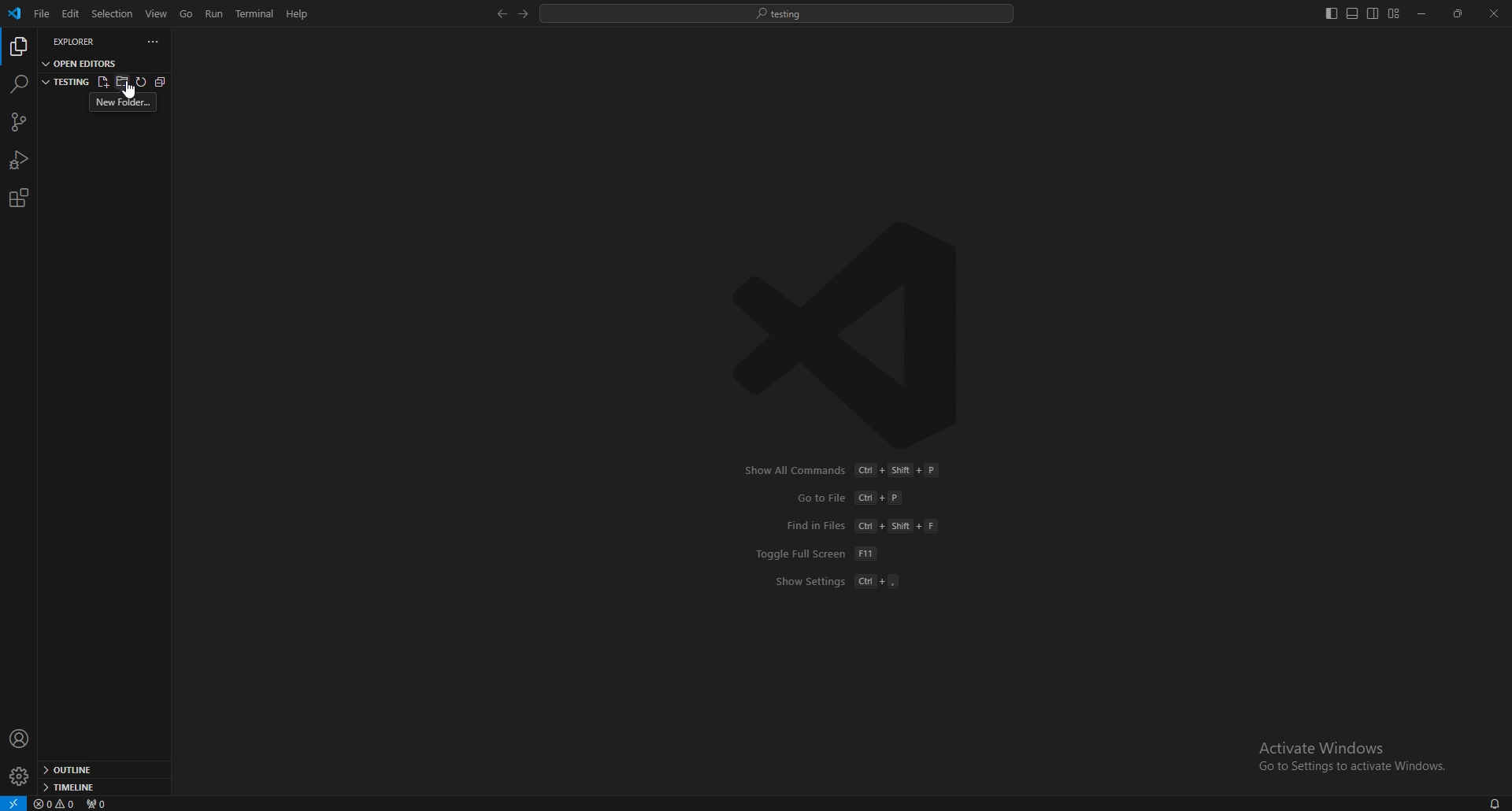 Image resolution: width=1512 pixels, height=811 pixels. What do you see at coordinates (82, 62) in the screenshot?
I see `open editors` at bounding box center [82, 62].